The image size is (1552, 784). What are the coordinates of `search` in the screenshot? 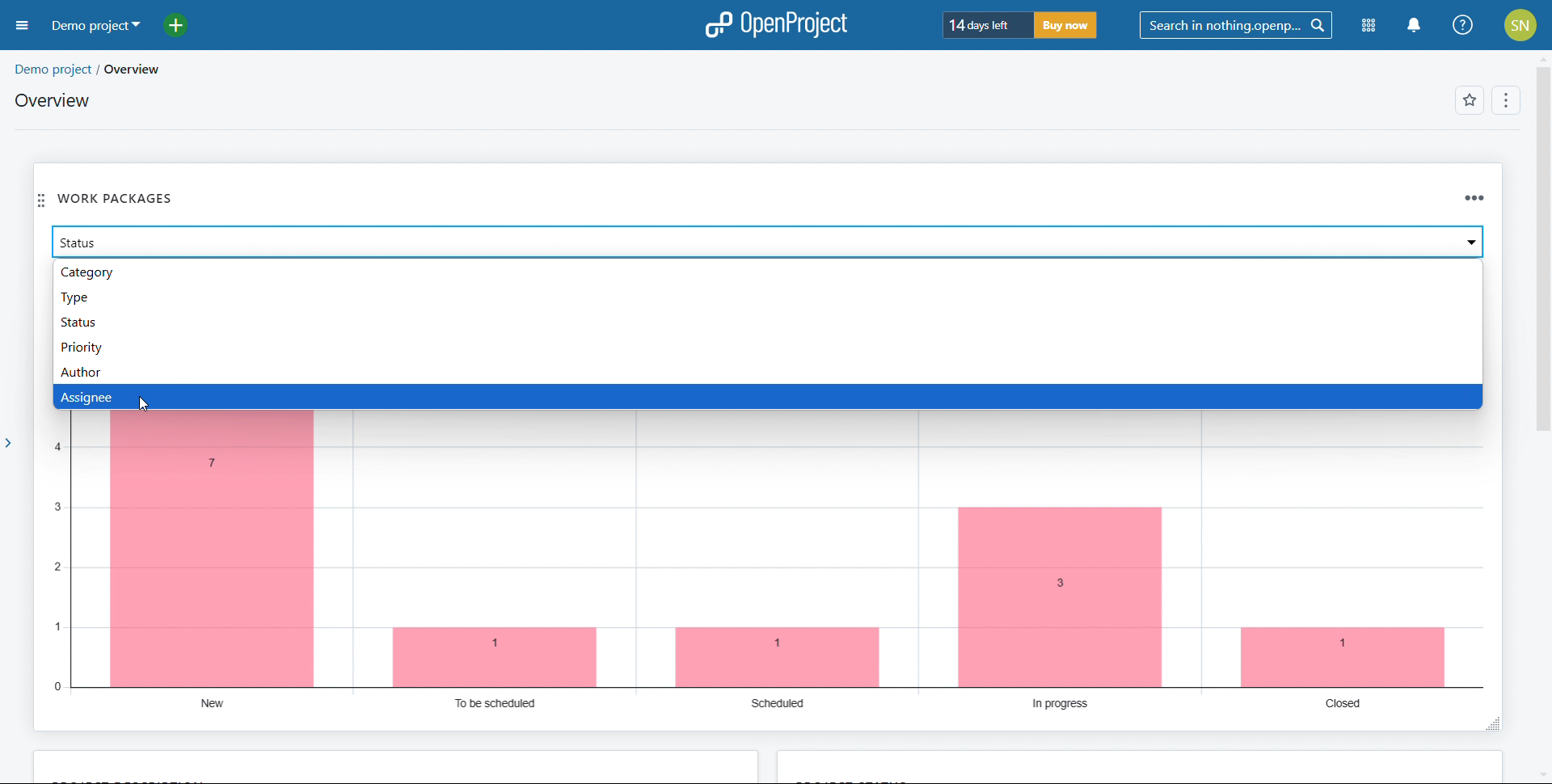 It's located at (1236, 26).